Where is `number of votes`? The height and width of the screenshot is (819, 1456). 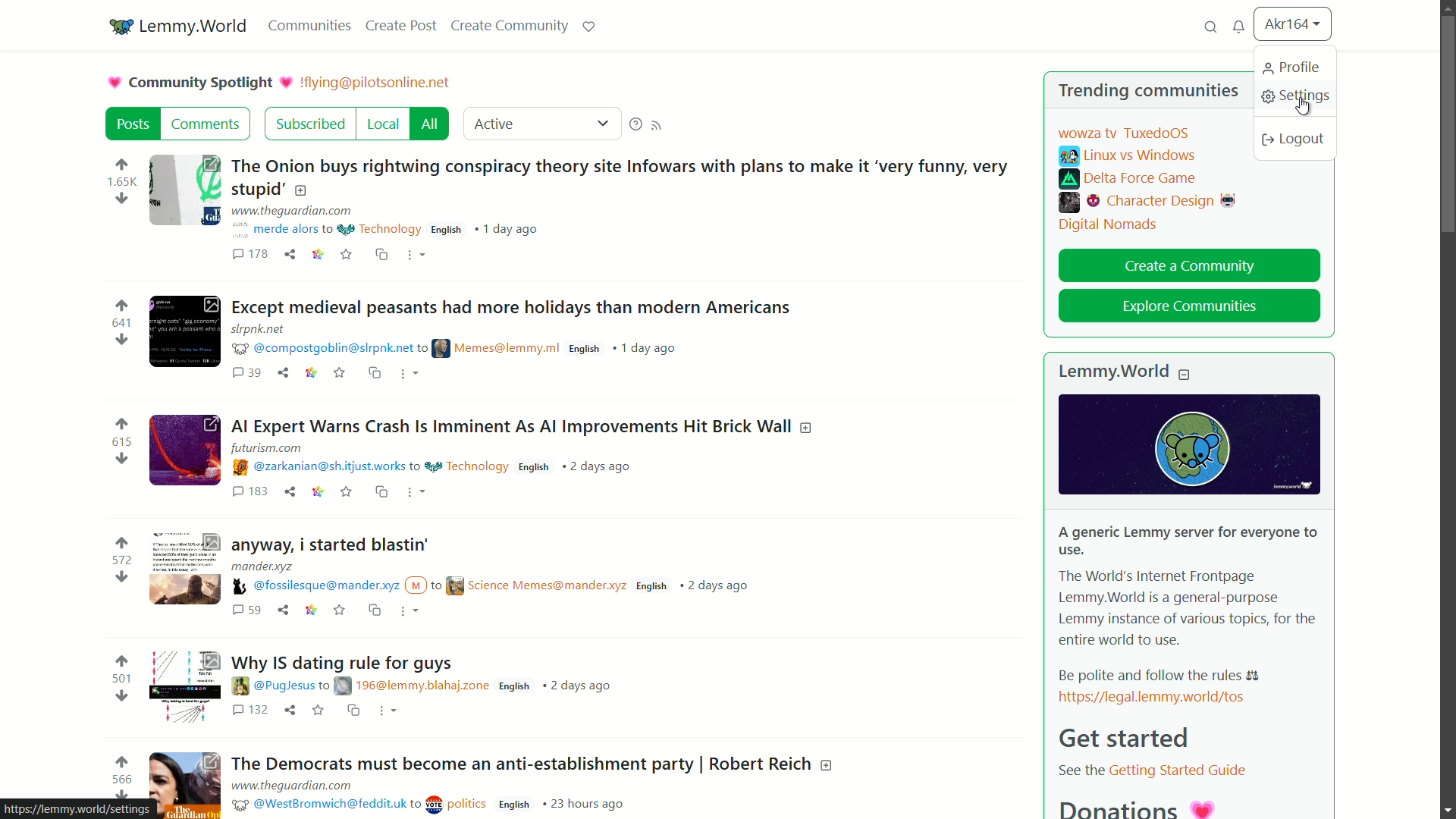
number of votes is located at coordinates (122, 560).